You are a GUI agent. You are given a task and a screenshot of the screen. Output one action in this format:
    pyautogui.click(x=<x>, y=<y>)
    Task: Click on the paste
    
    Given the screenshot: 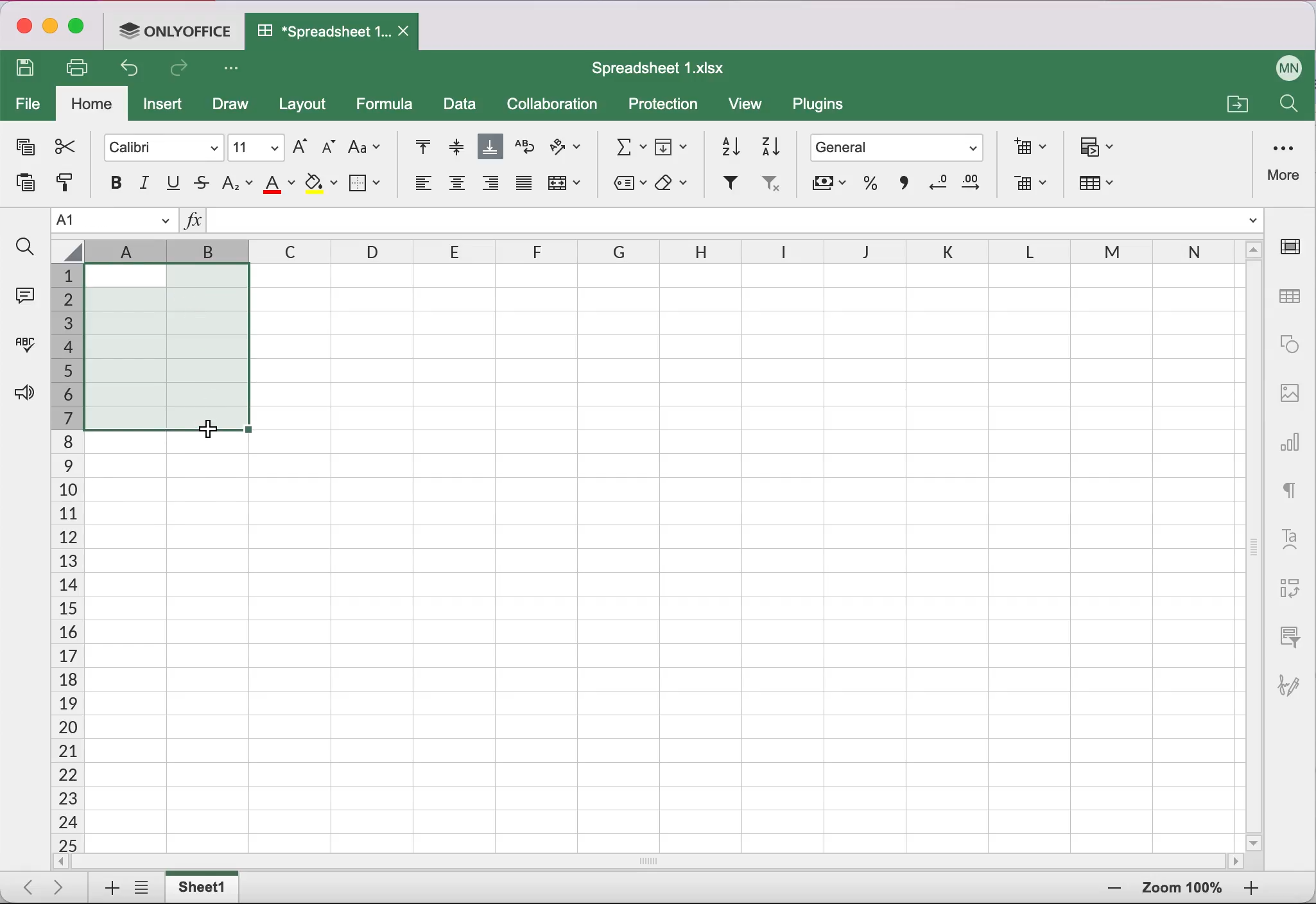 What is the action you would take?
    pyautogui.click(x=21, y=187)
    